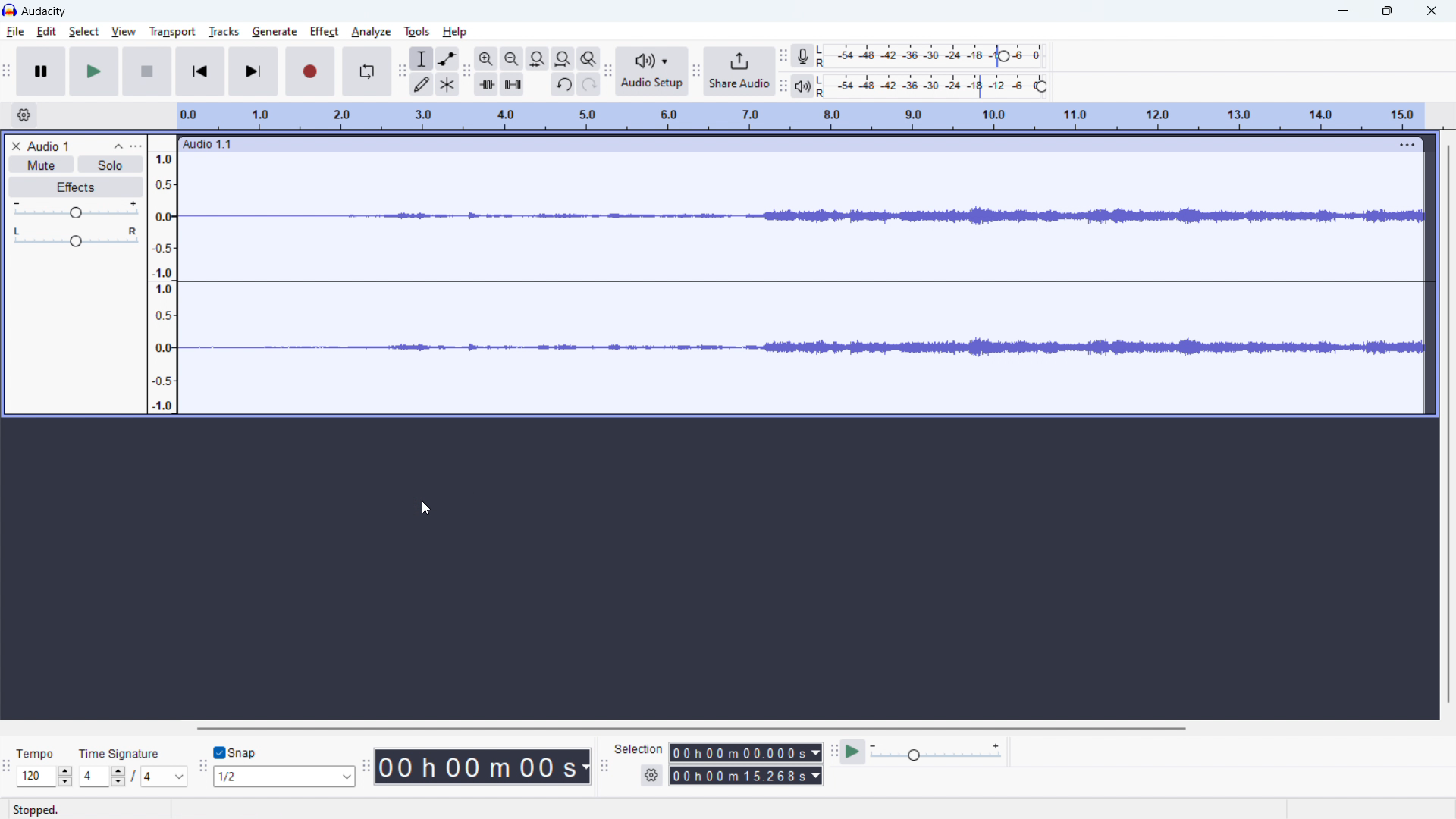 The height and width of the screenshot is (819, 1456). What do you see at coordinates (483, 765) in the screenshot?
I see `timestamp` at bounding box center [483, 765].